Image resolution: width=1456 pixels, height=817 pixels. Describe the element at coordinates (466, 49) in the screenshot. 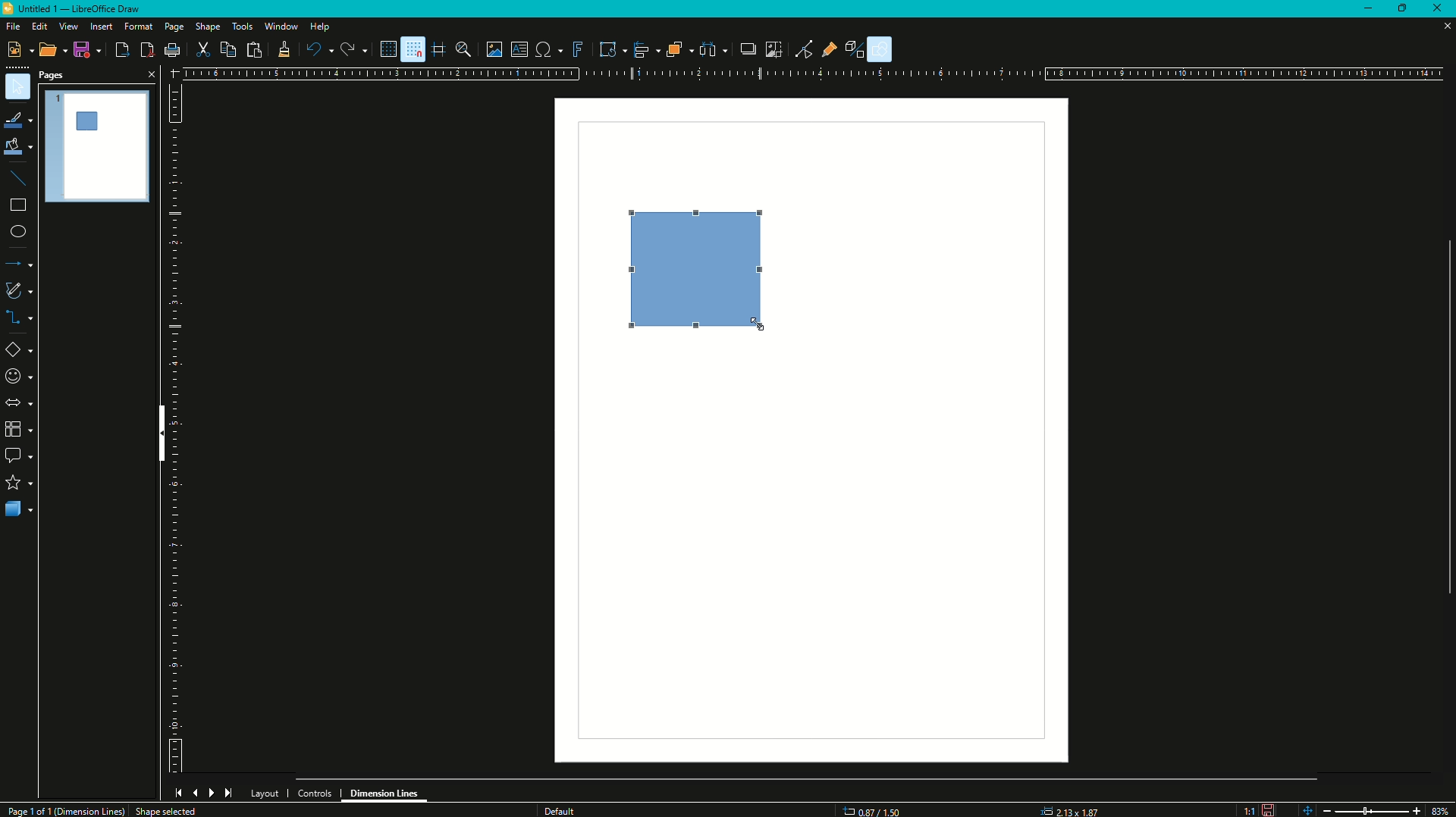

I see `Zoom and Pan` at that location.